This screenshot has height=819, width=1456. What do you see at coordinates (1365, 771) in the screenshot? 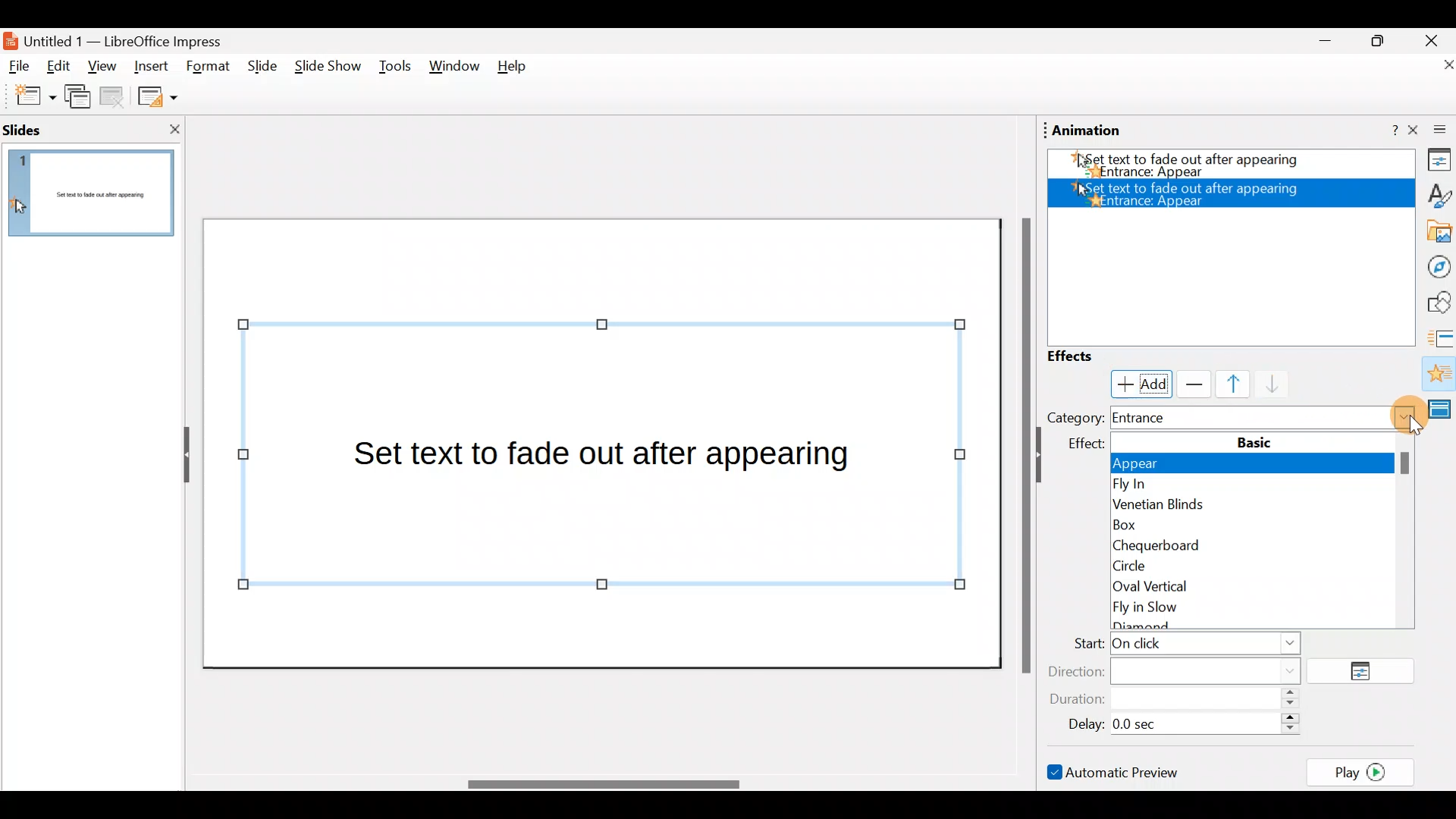
I see `Play` at bounding box center [1365, 771].